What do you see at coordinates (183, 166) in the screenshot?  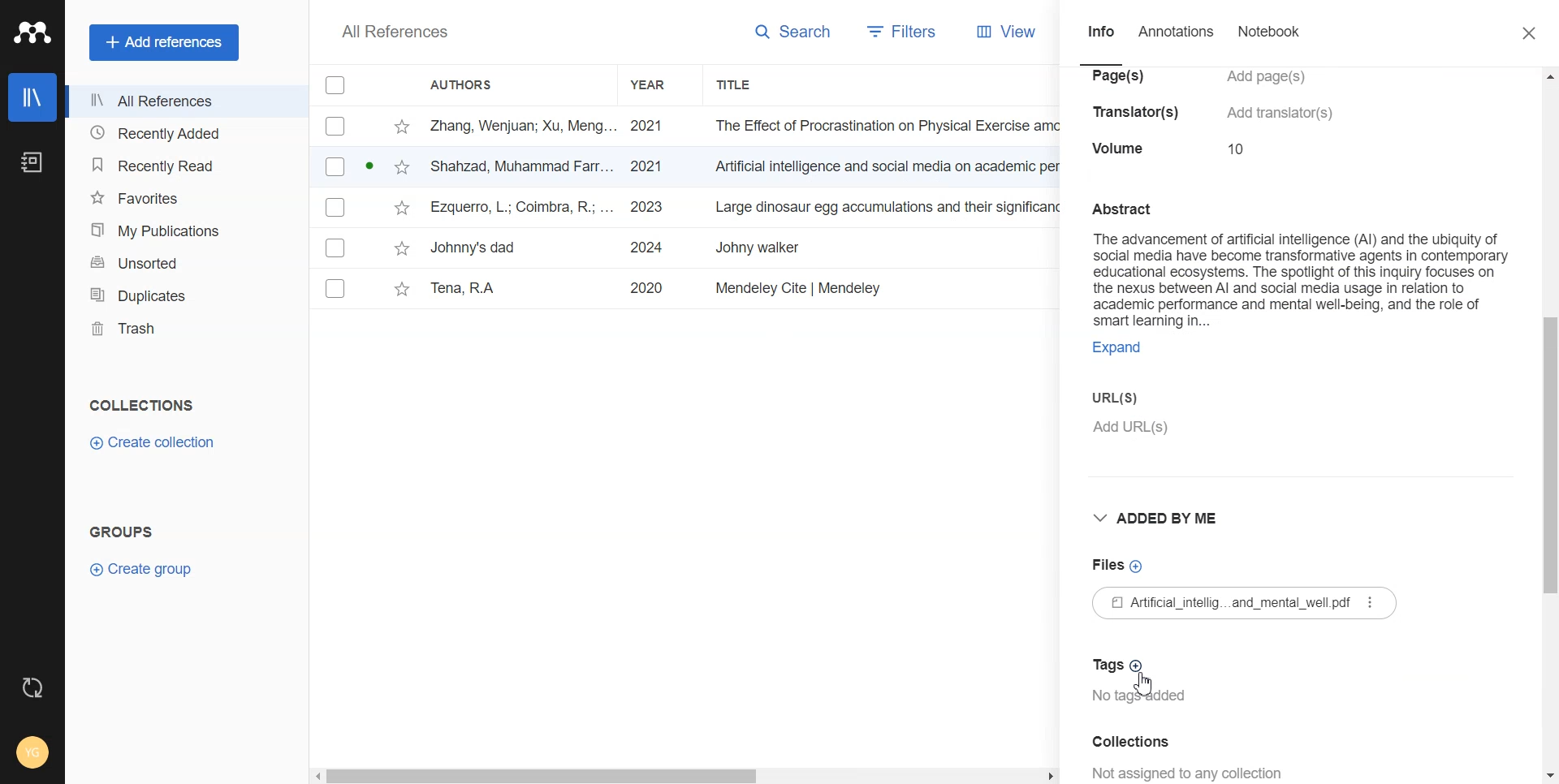 I see `Recently Read` at bounding box center [183, 166].